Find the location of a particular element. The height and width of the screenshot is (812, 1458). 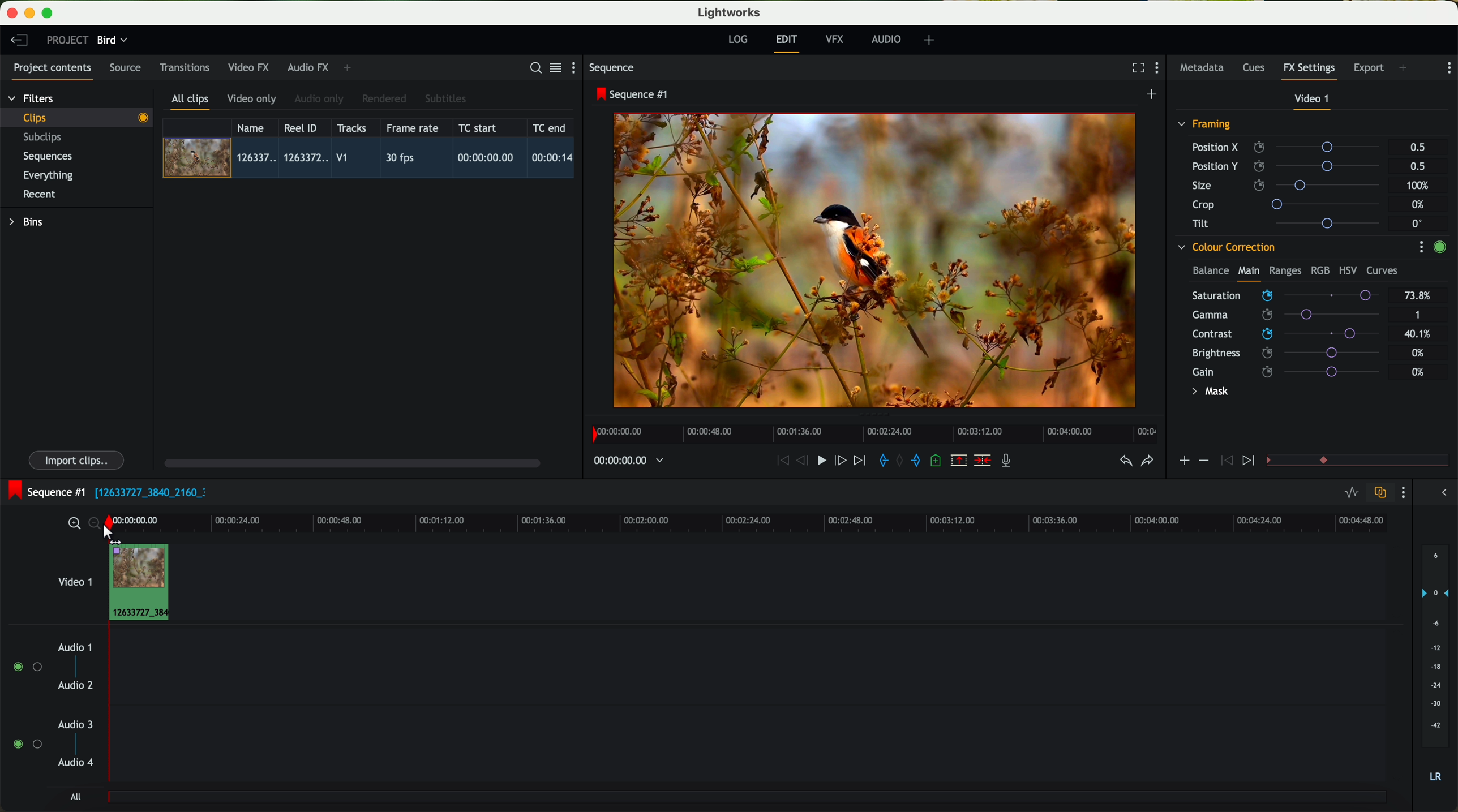

TC end is located at coordinates (550, 127).